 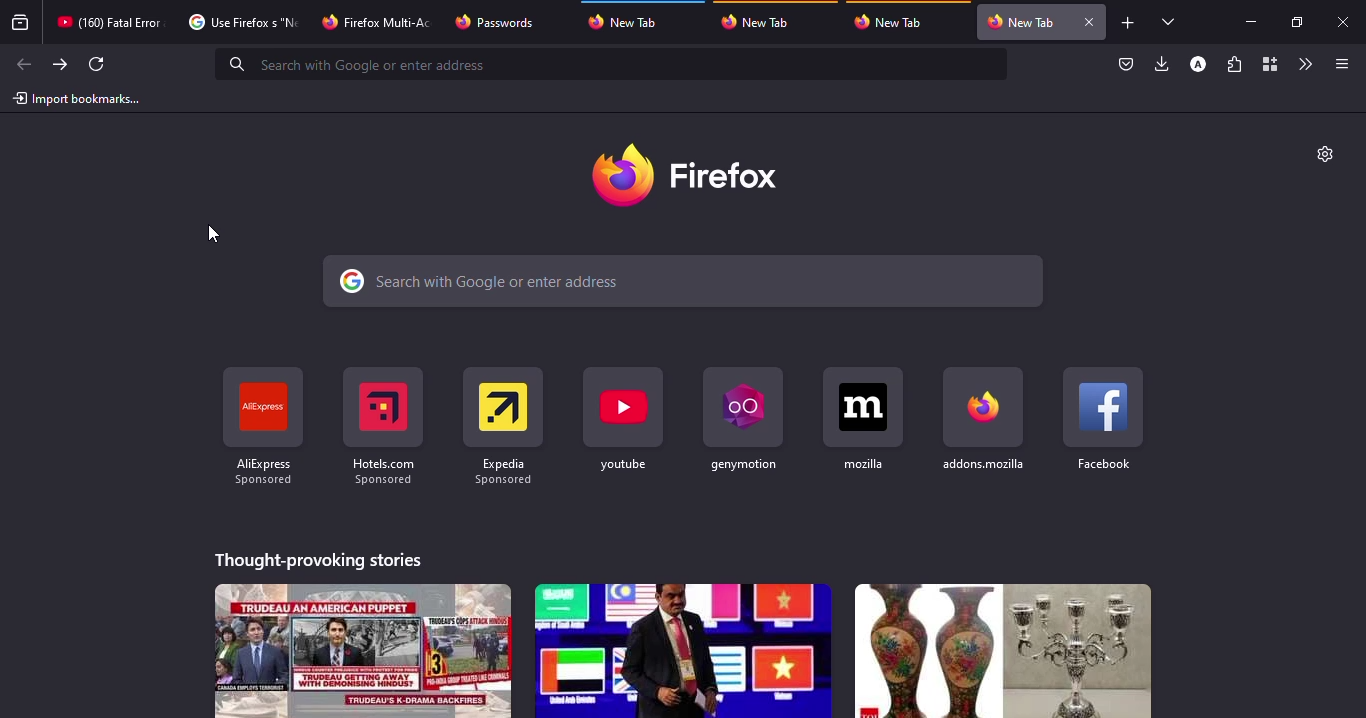 I want to click on view recent browsing history, so click(x=21, y=23).